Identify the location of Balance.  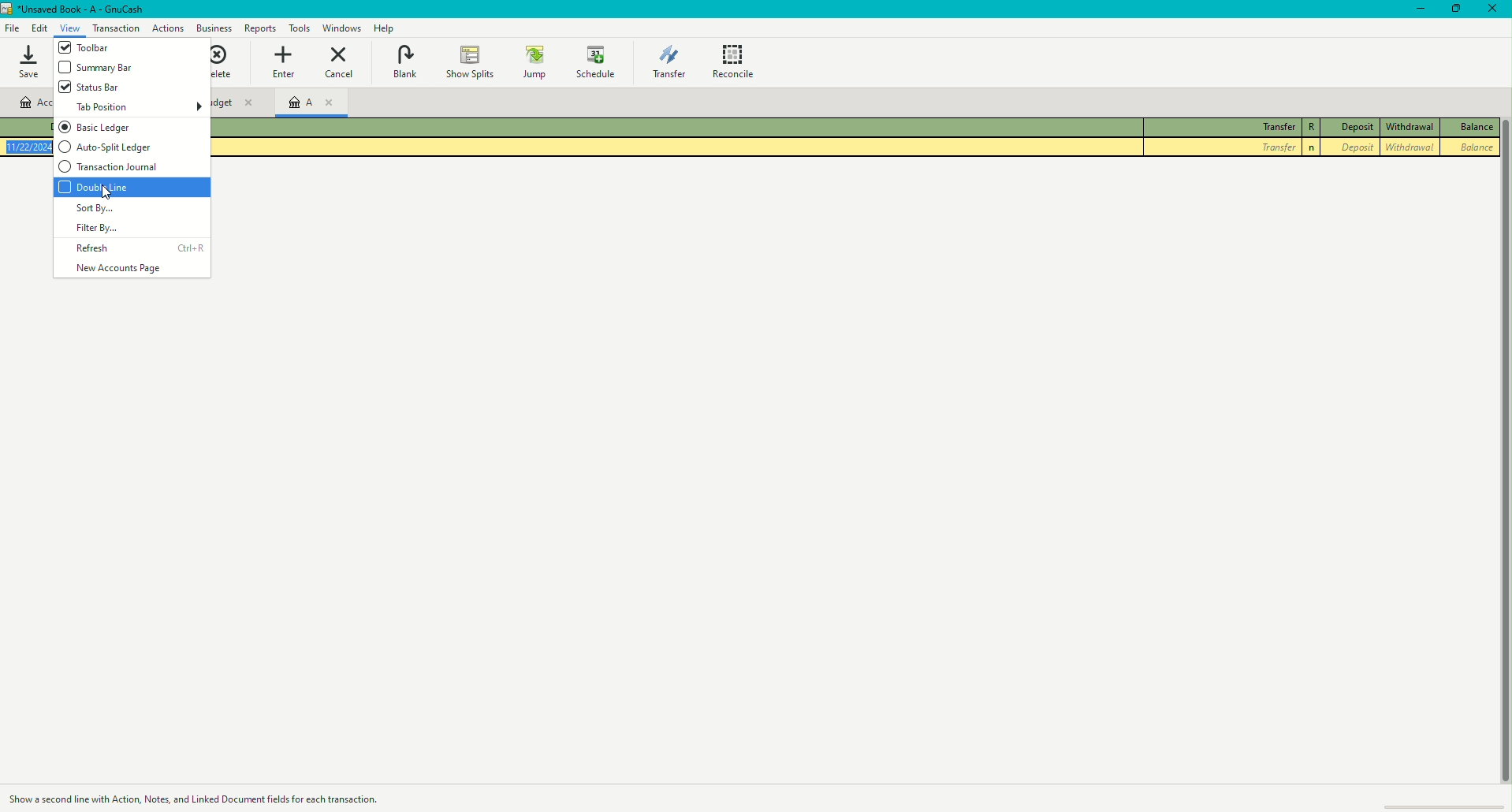
(1472, 148).